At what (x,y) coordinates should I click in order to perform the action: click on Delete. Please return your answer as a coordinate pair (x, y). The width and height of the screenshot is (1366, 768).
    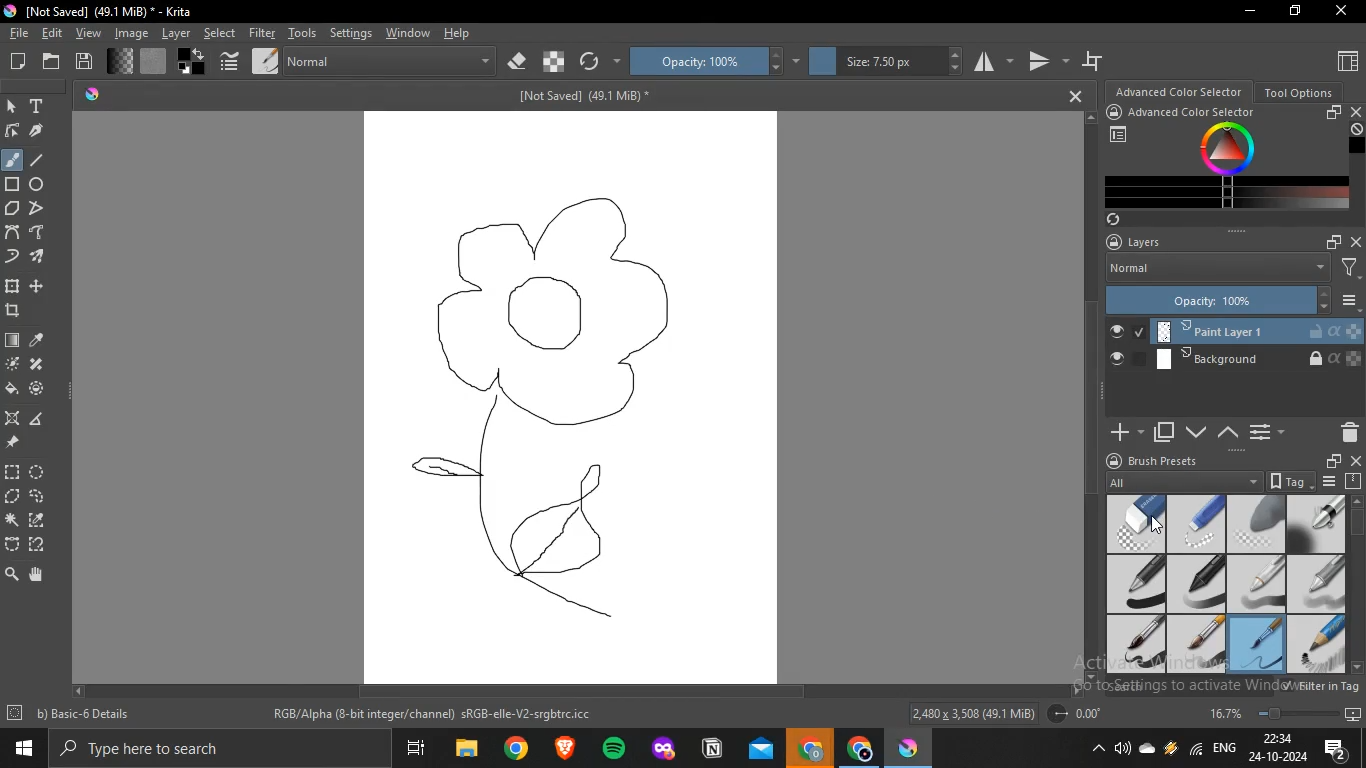
    Looking at the image, I should click on (1345, 433).